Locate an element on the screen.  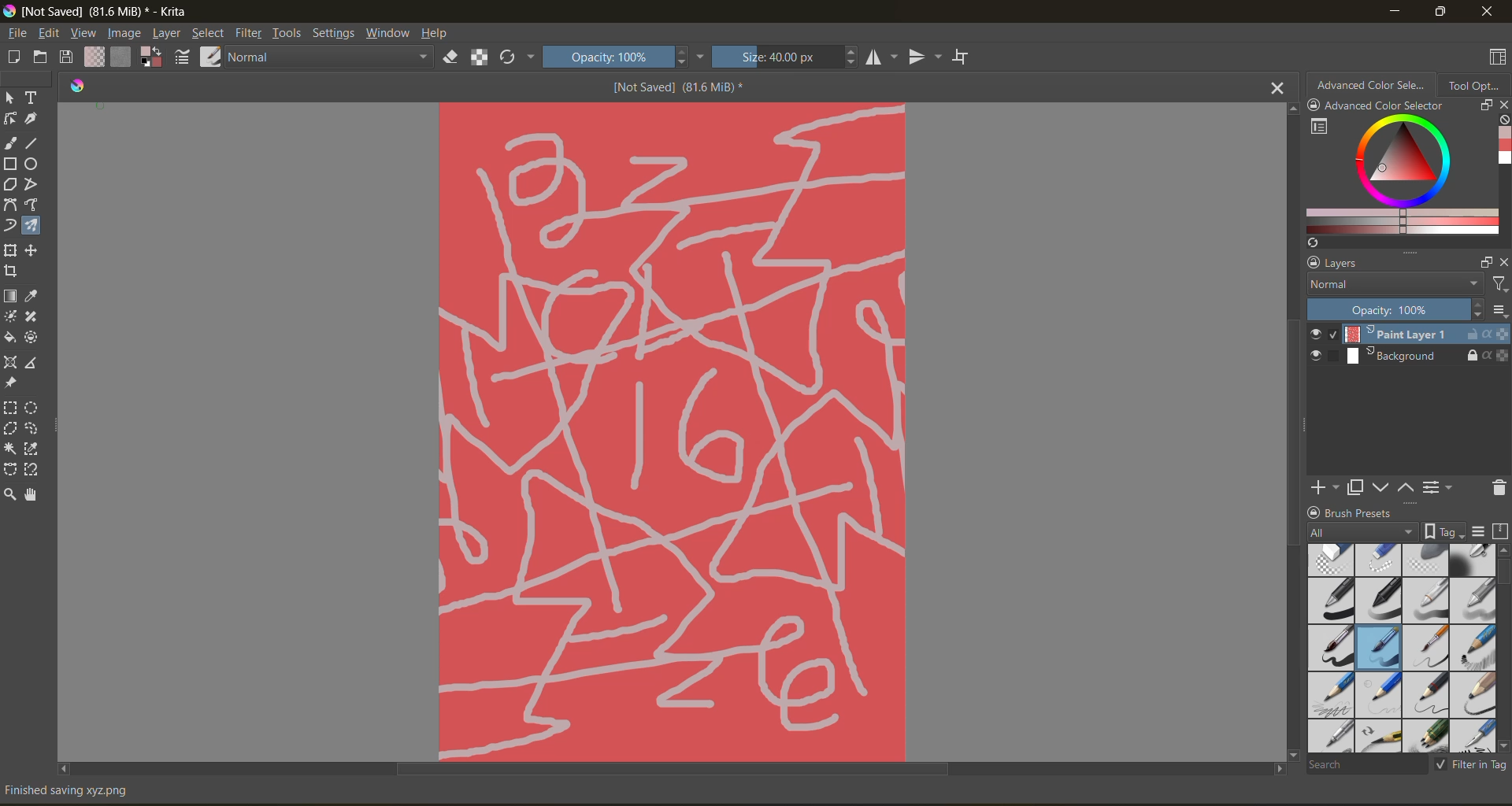
filter tag is located at coordinates (1468, 763).